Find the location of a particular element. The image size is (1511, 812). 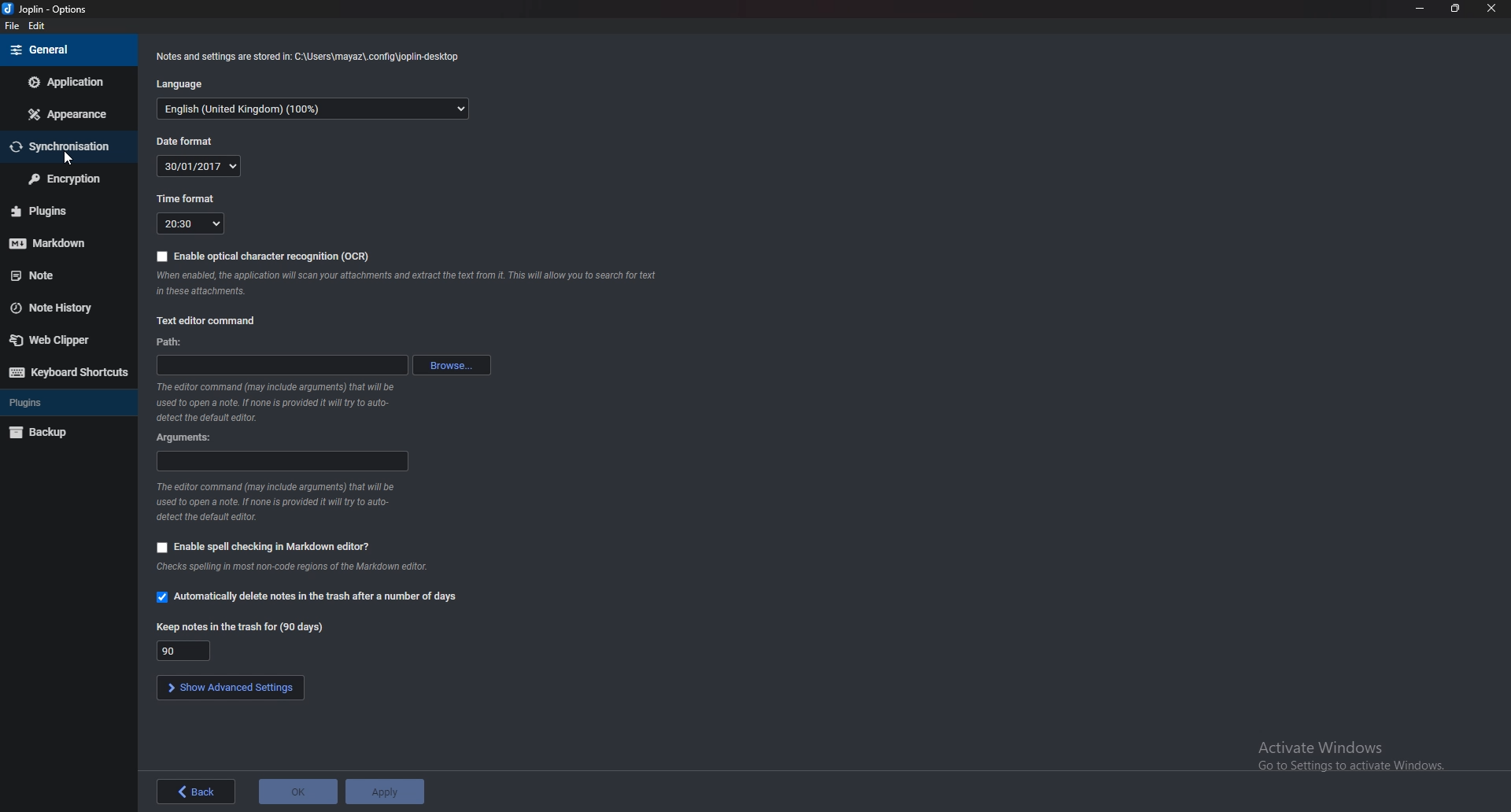

backup is located at coordinates (46, 434).